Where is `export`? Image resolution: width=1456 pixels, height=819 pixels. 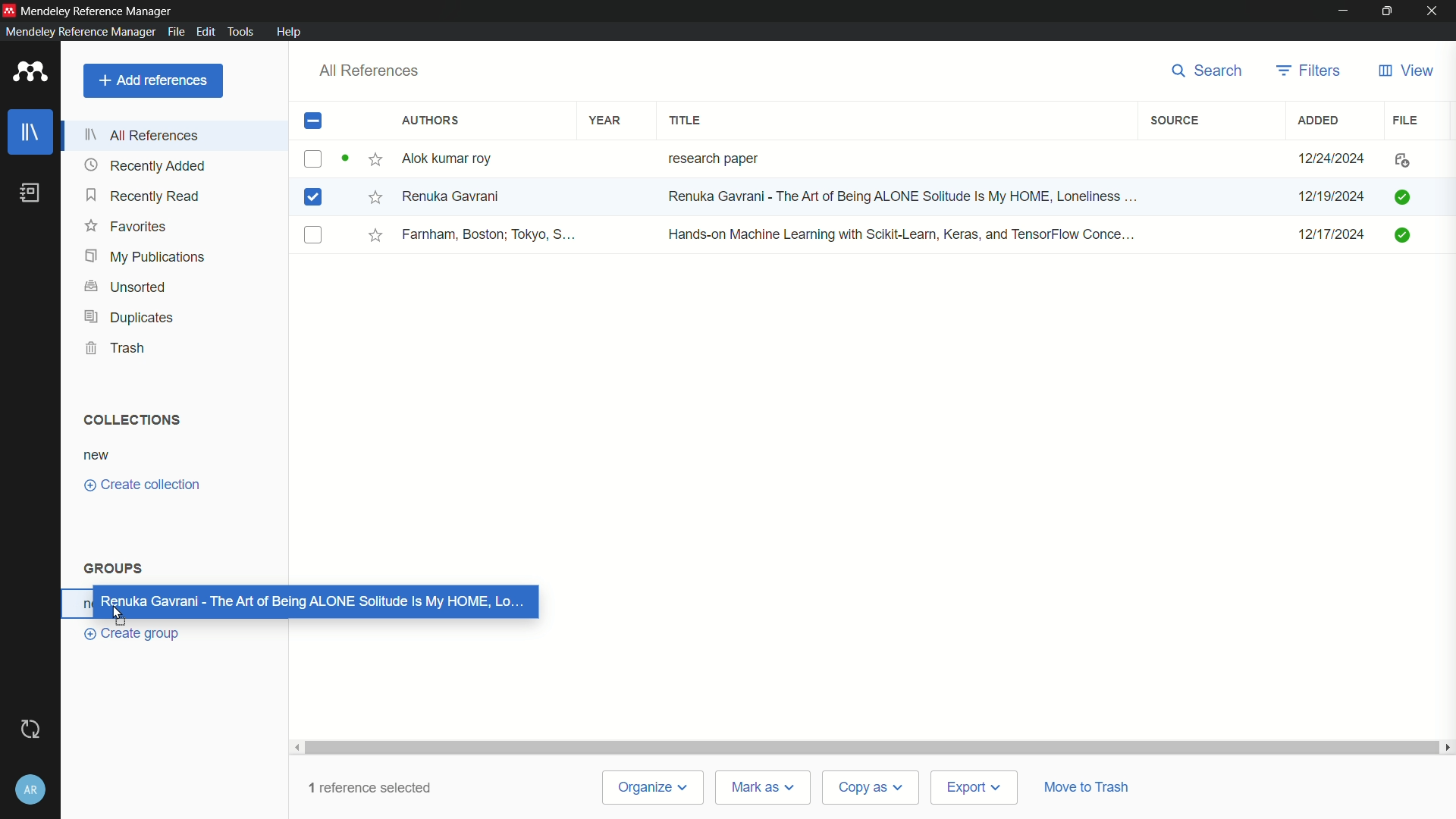 export is located at coordinates (971, 787).